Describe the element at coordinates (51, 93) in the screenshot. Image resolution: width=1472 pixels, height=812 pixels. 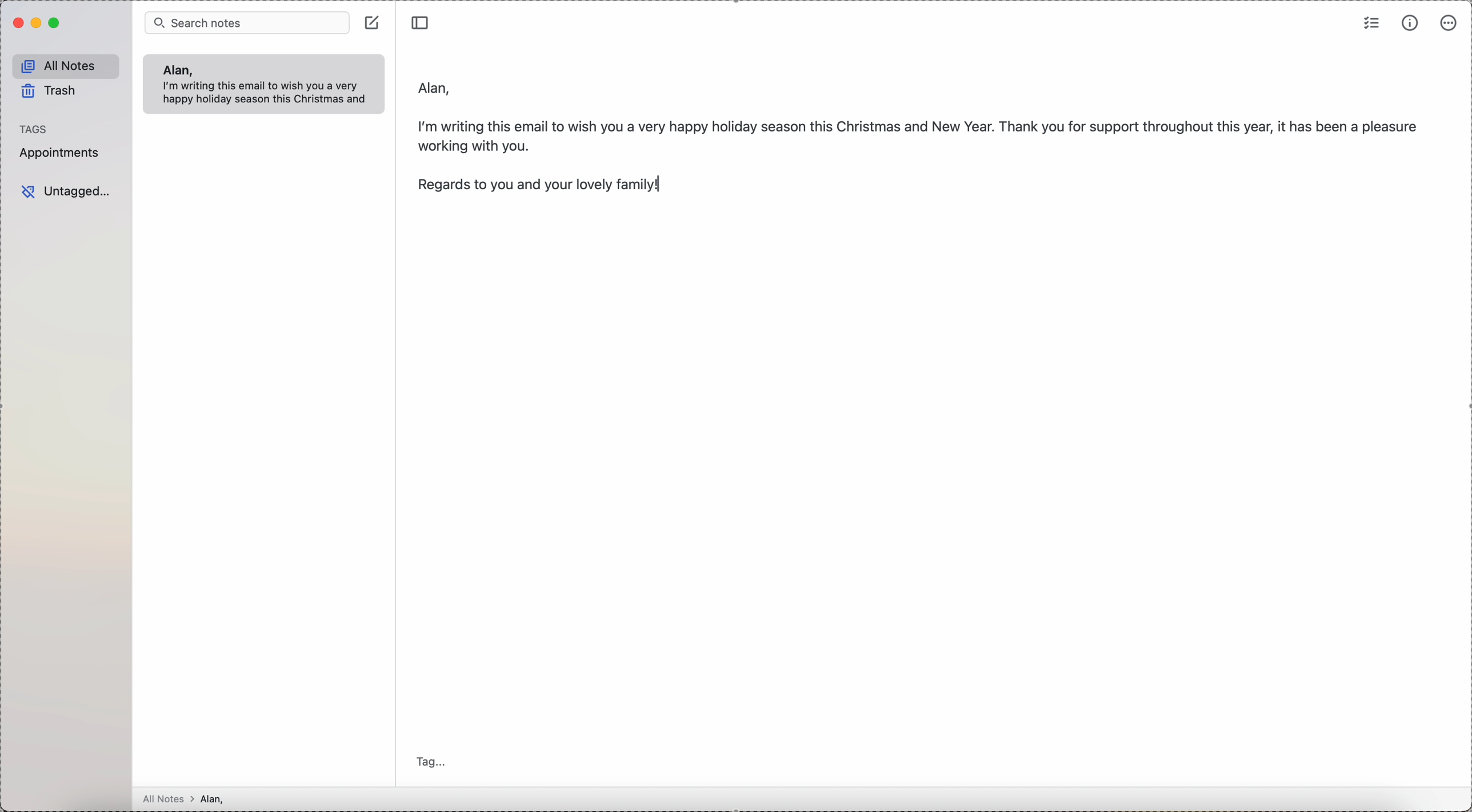
I see `trash` at that location.